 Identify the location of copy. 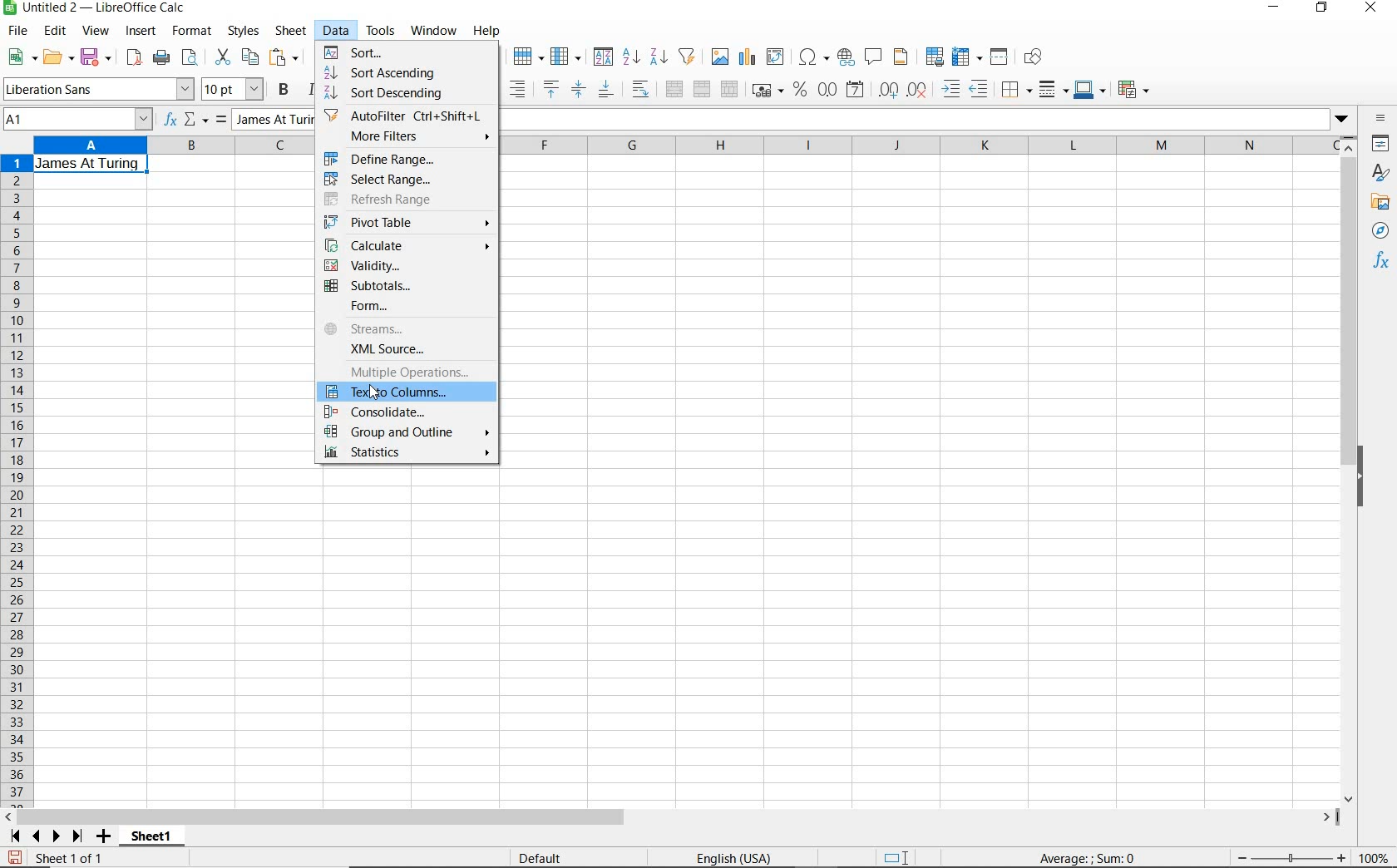
(249, 57).